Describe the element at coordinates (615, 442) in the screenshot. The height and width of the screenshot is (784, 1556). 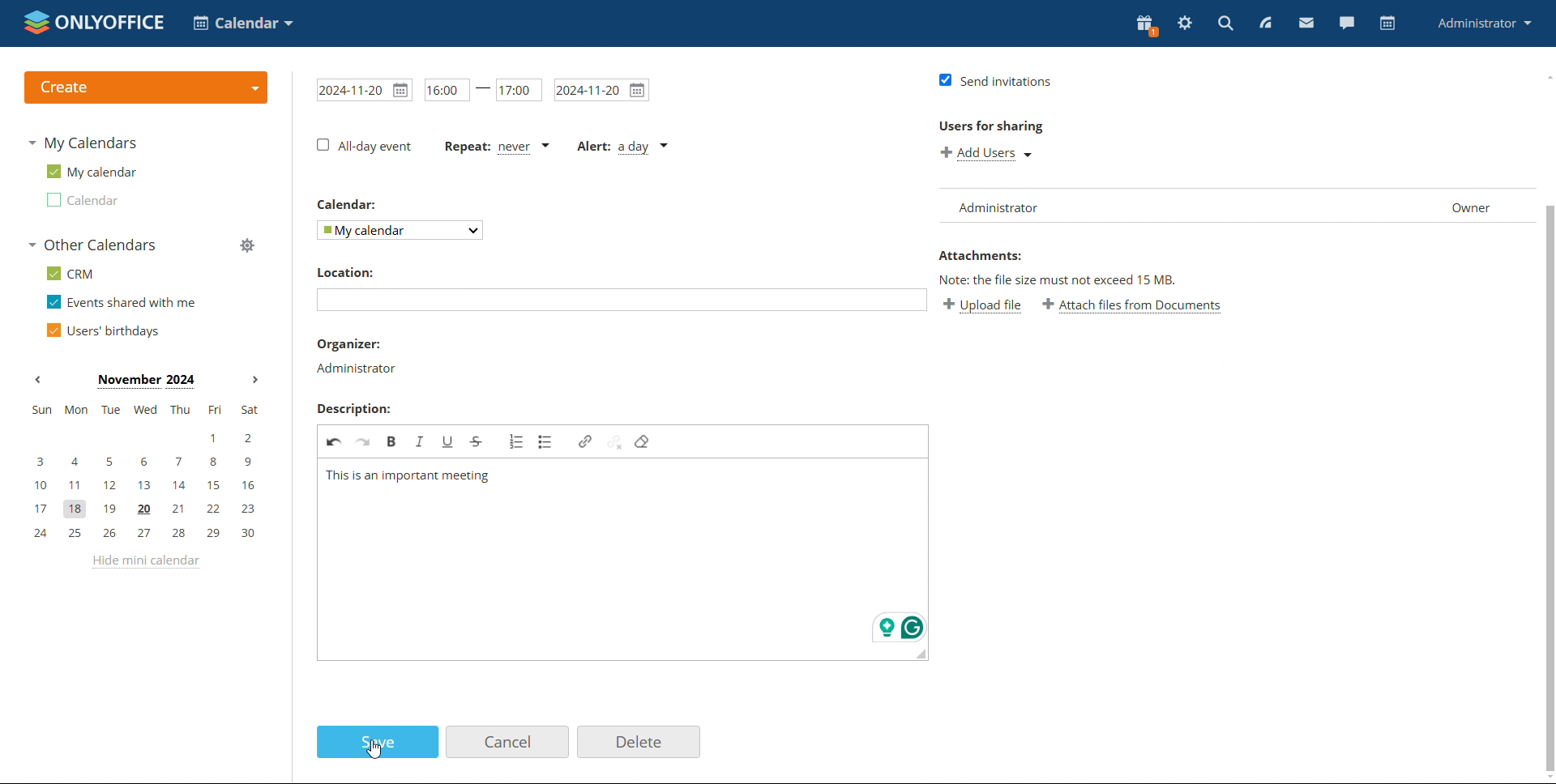
I see `unlink` at that location.